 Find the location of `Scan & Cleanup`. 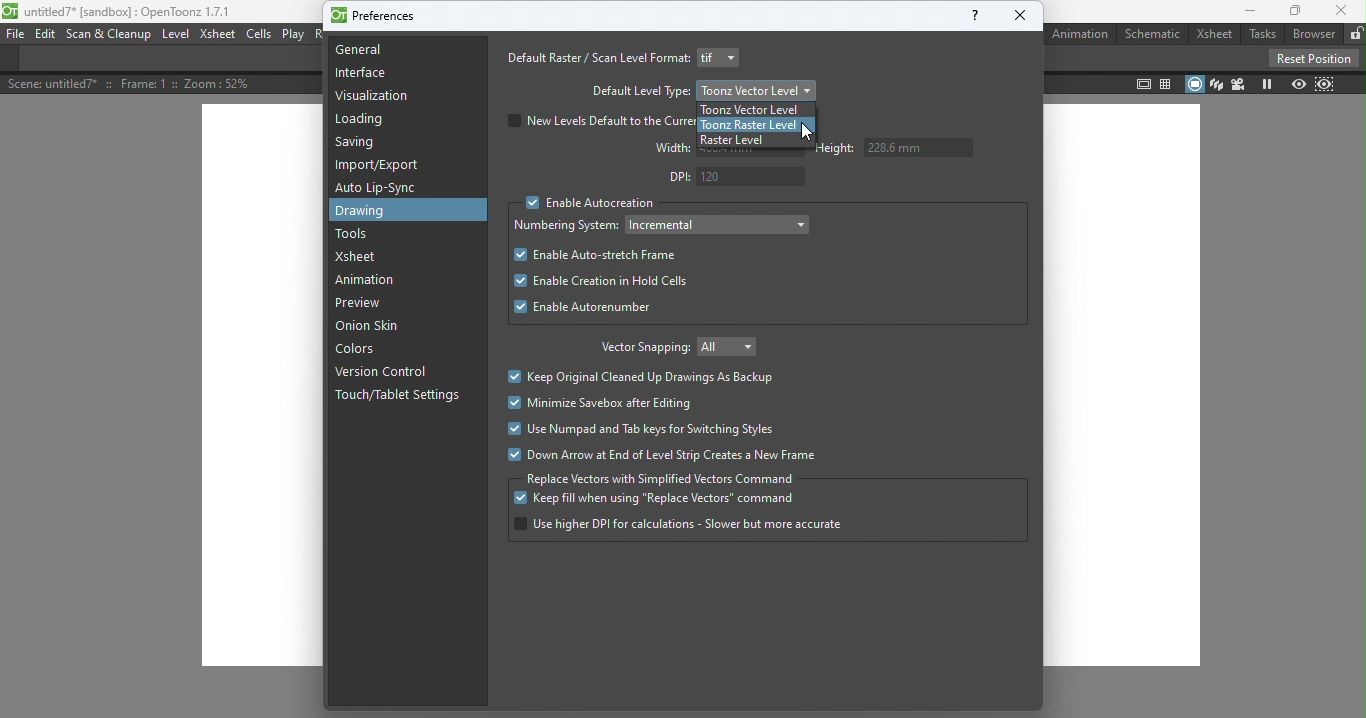

Scan & Cleanup is located at coordinates (111, 37).